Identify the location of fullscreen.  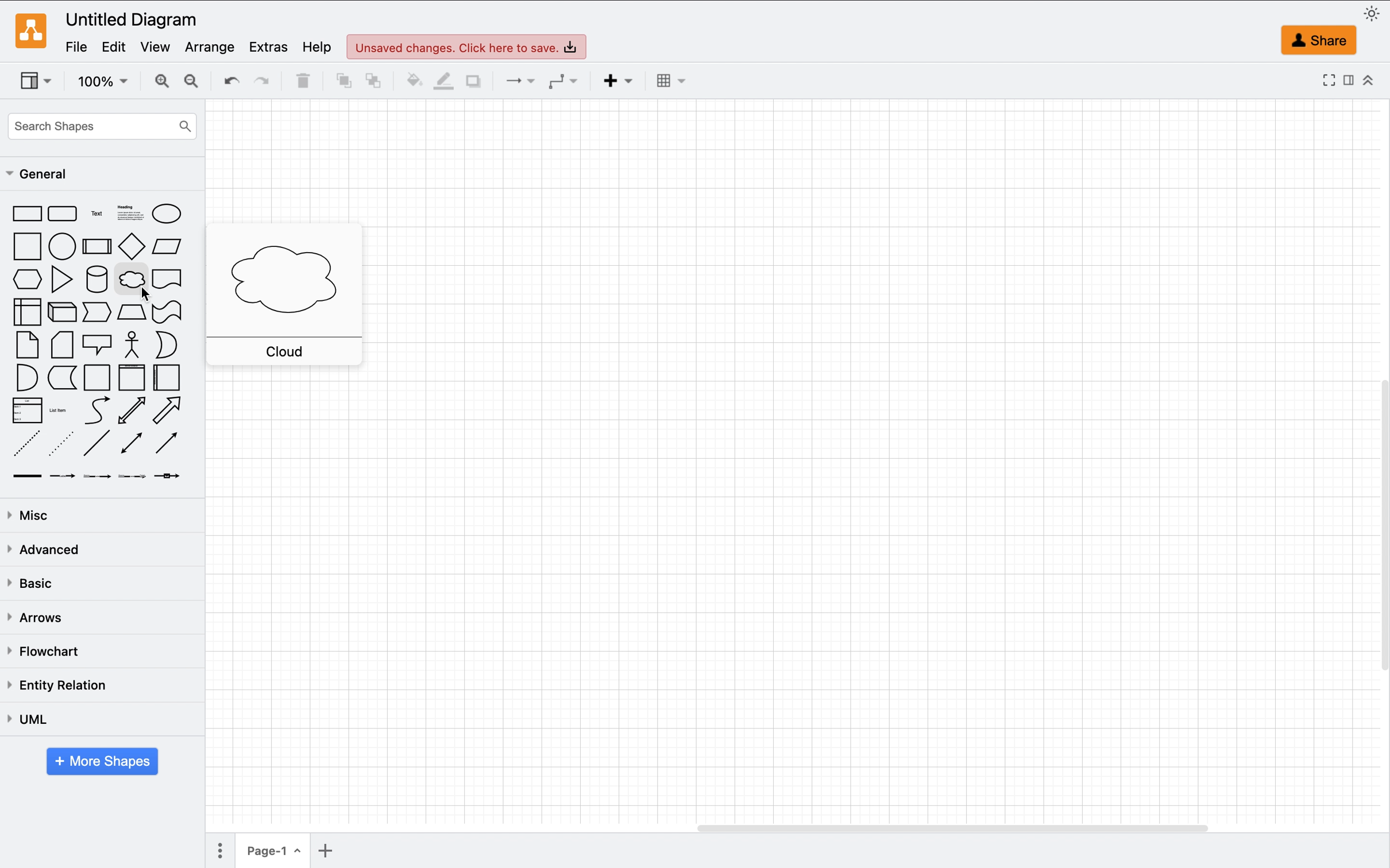
(1326, 80).